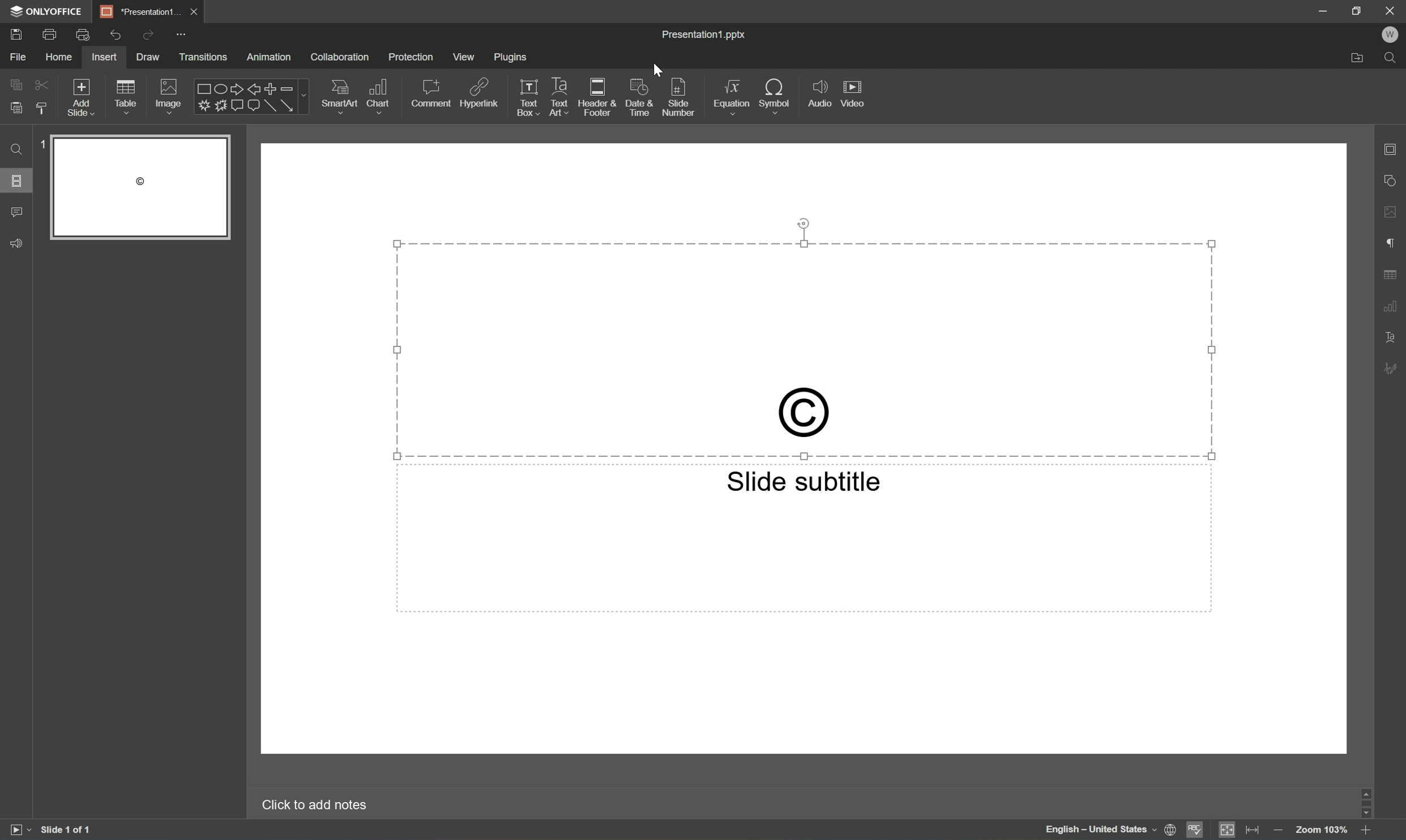 This screenshot has width=1406, height=840. I want to click on Shape settings, so click(1390, 179).